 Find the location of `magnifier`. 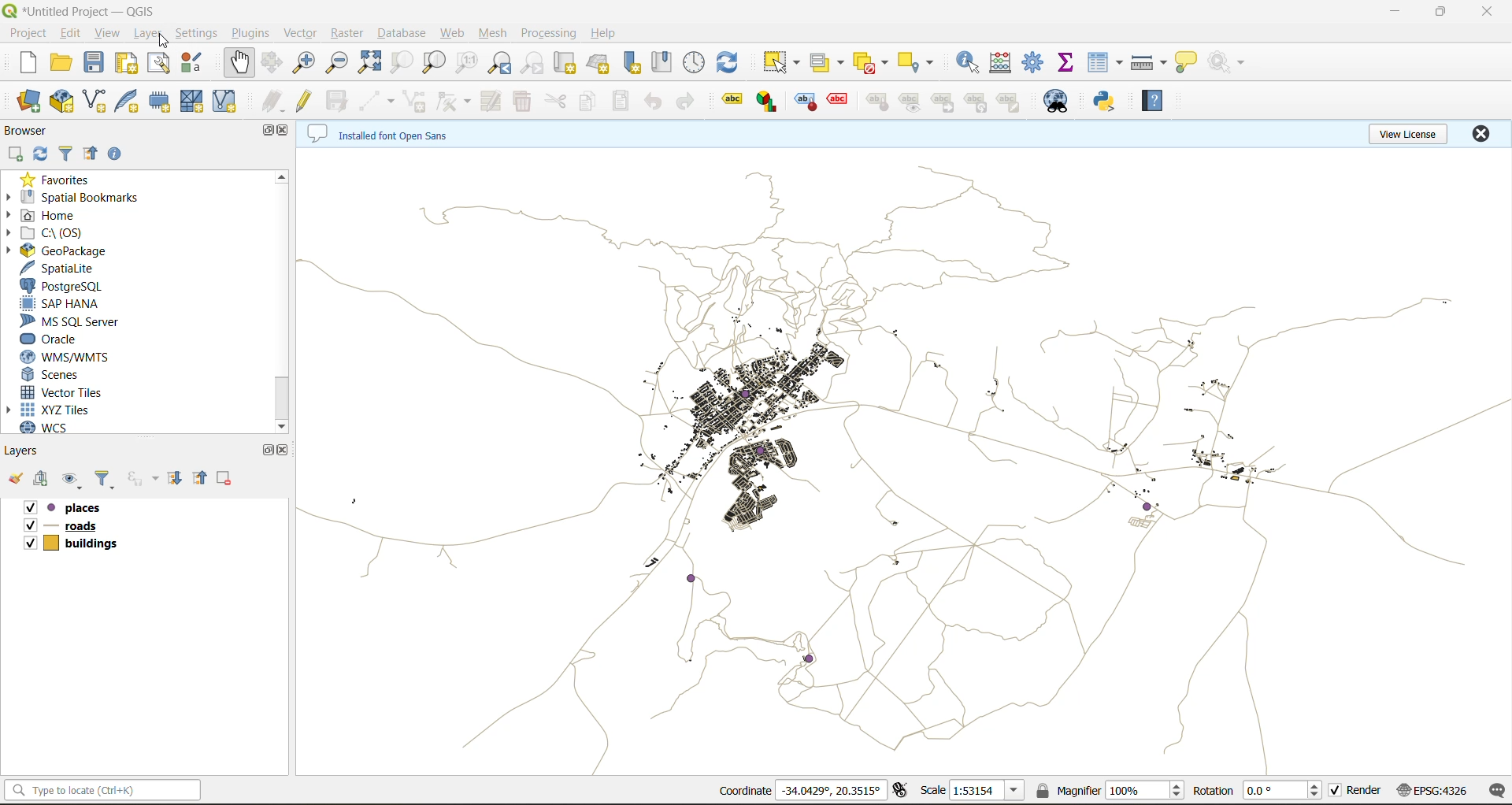

magnifier is located at coordinates (1111, 793).